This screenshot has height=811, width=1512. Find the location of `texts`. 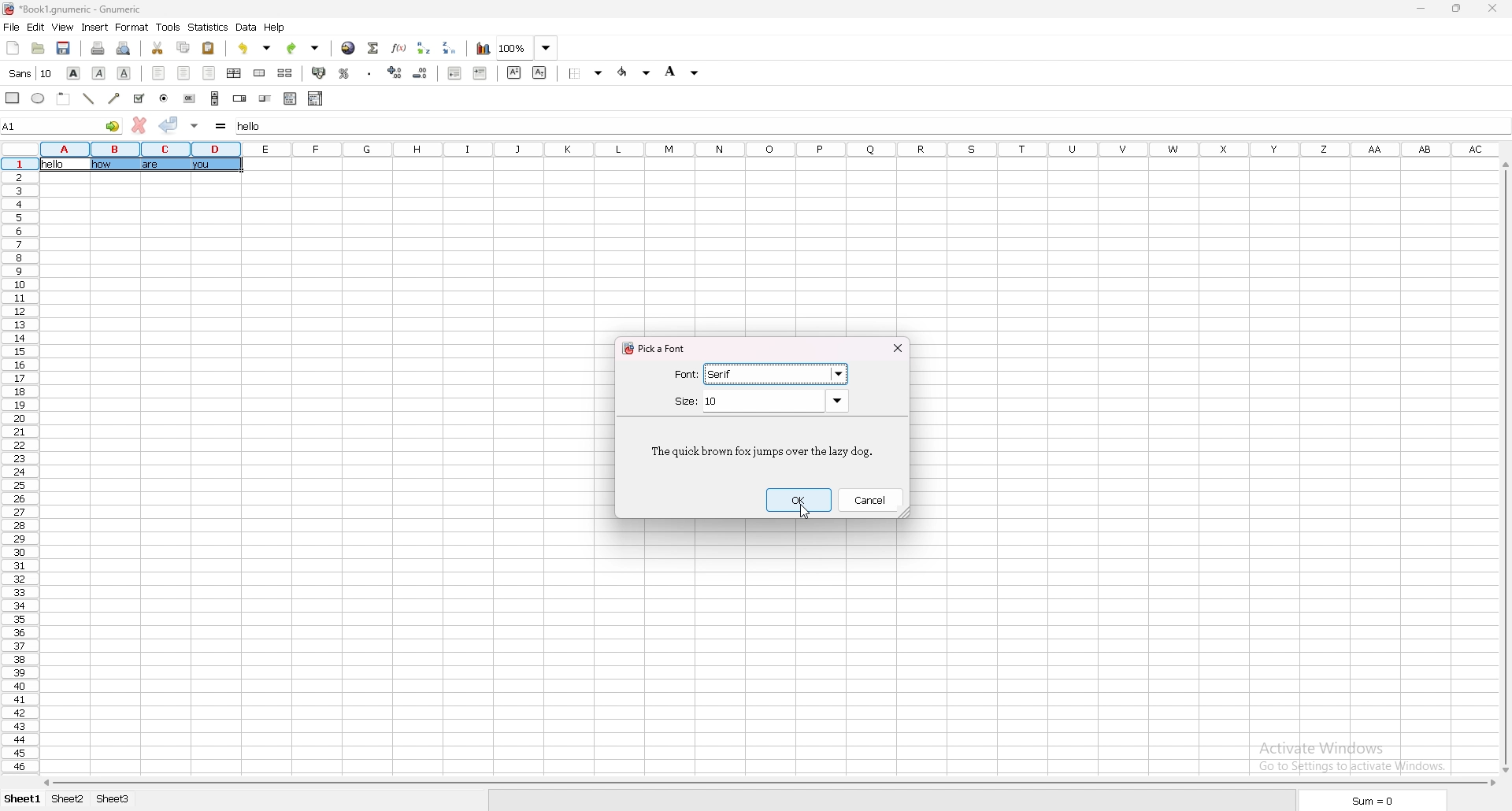

texts is located at coordinates (166, 165).